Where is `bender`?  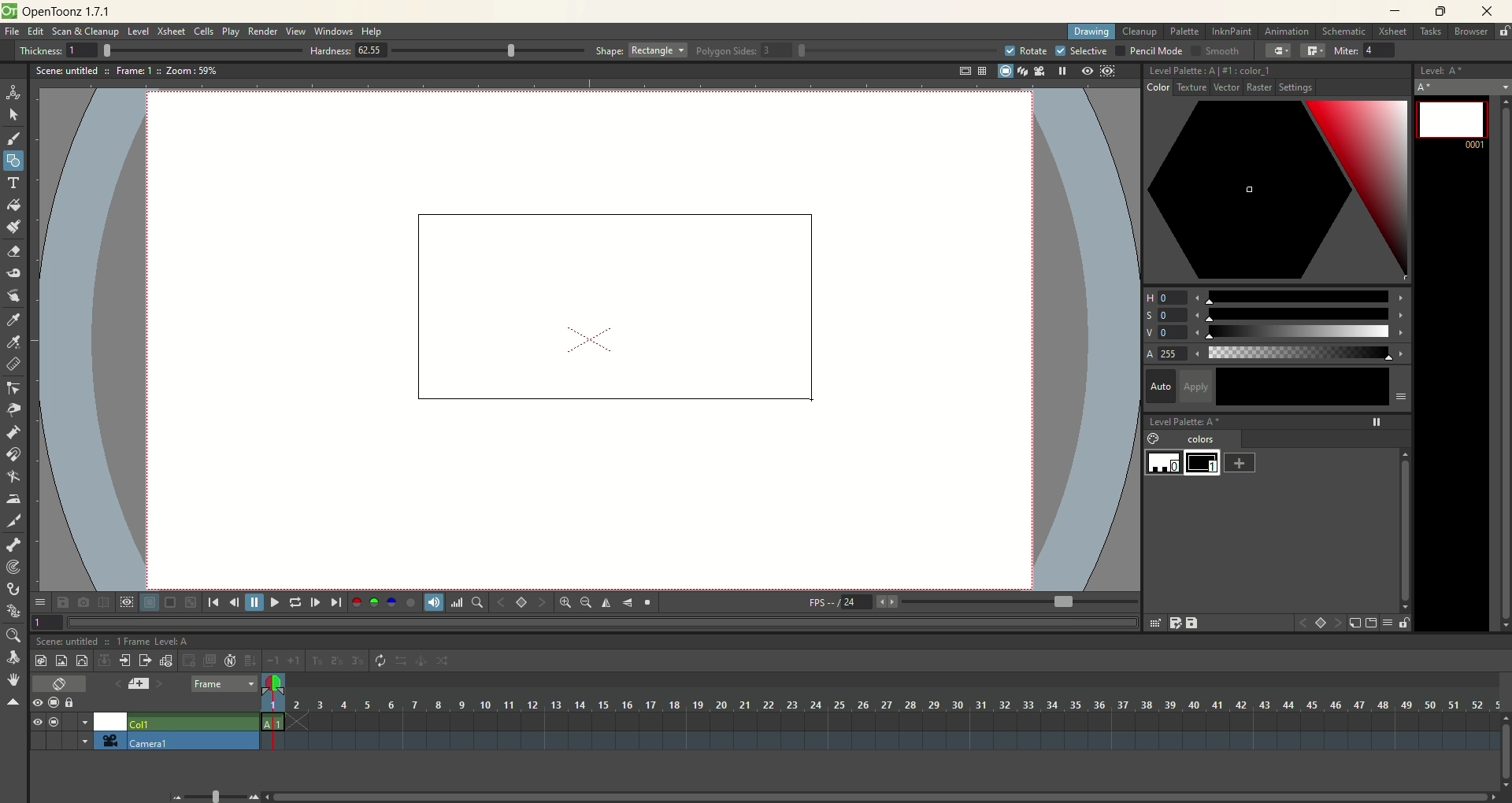
bender is located at coordinates (13, 479).